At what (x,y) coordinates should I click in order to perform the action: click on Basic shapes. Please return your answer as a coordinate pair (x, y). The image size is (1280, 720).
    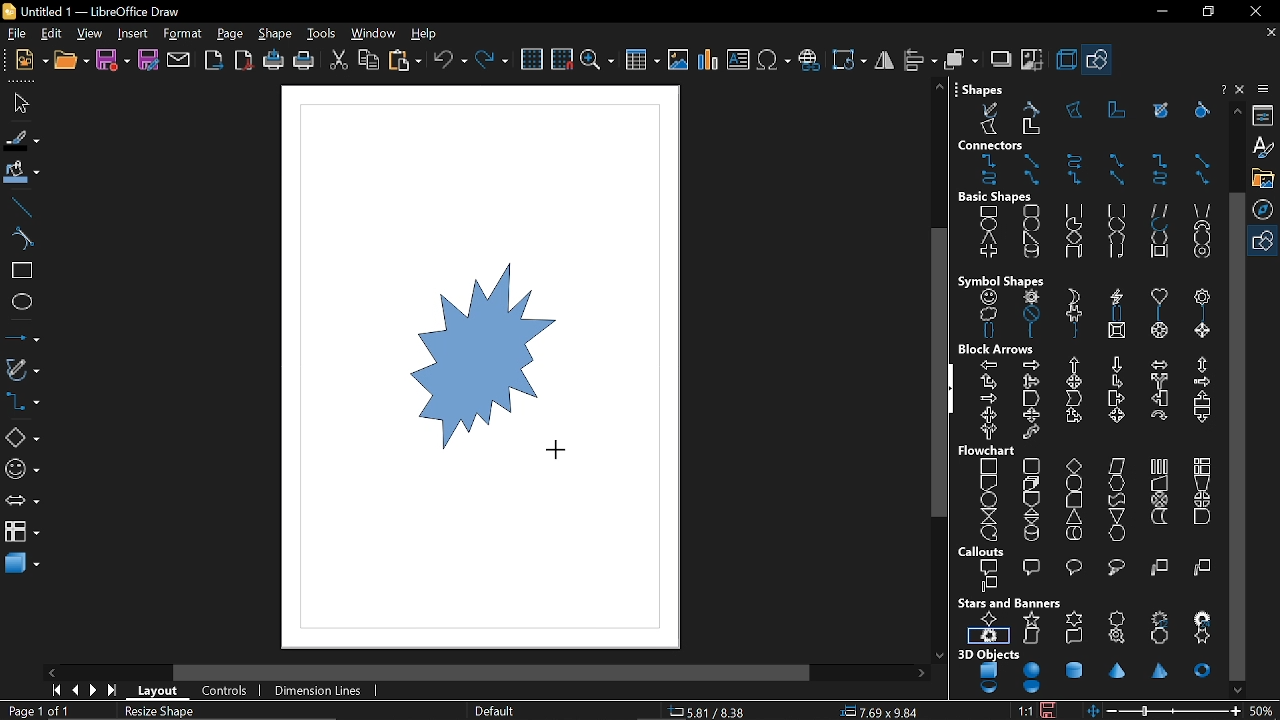
    Looking at the image, I should click on (22, 439).